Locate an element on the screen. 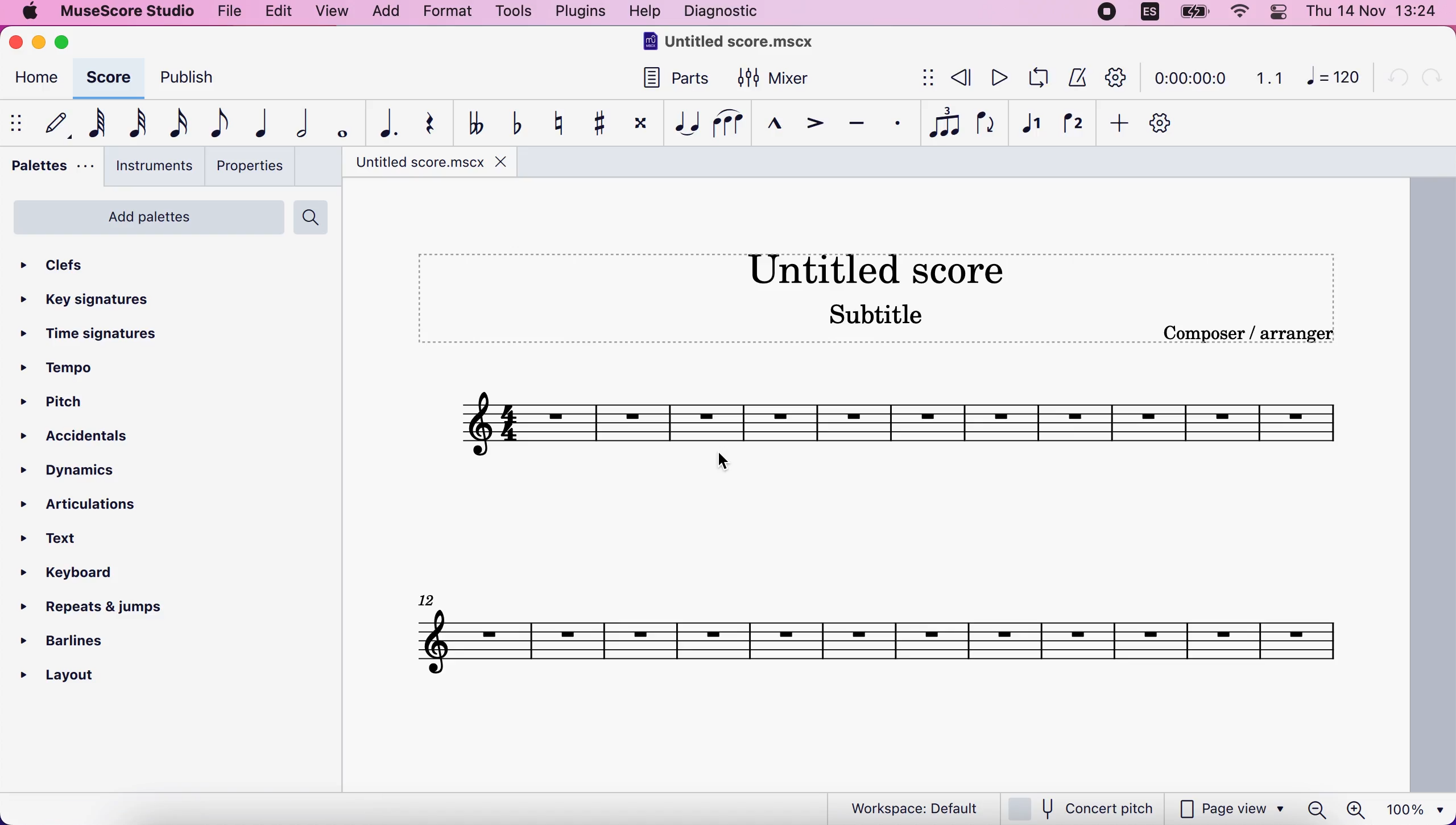 The image size is (1456, 825). tuples is located at coordinates (945, 122).